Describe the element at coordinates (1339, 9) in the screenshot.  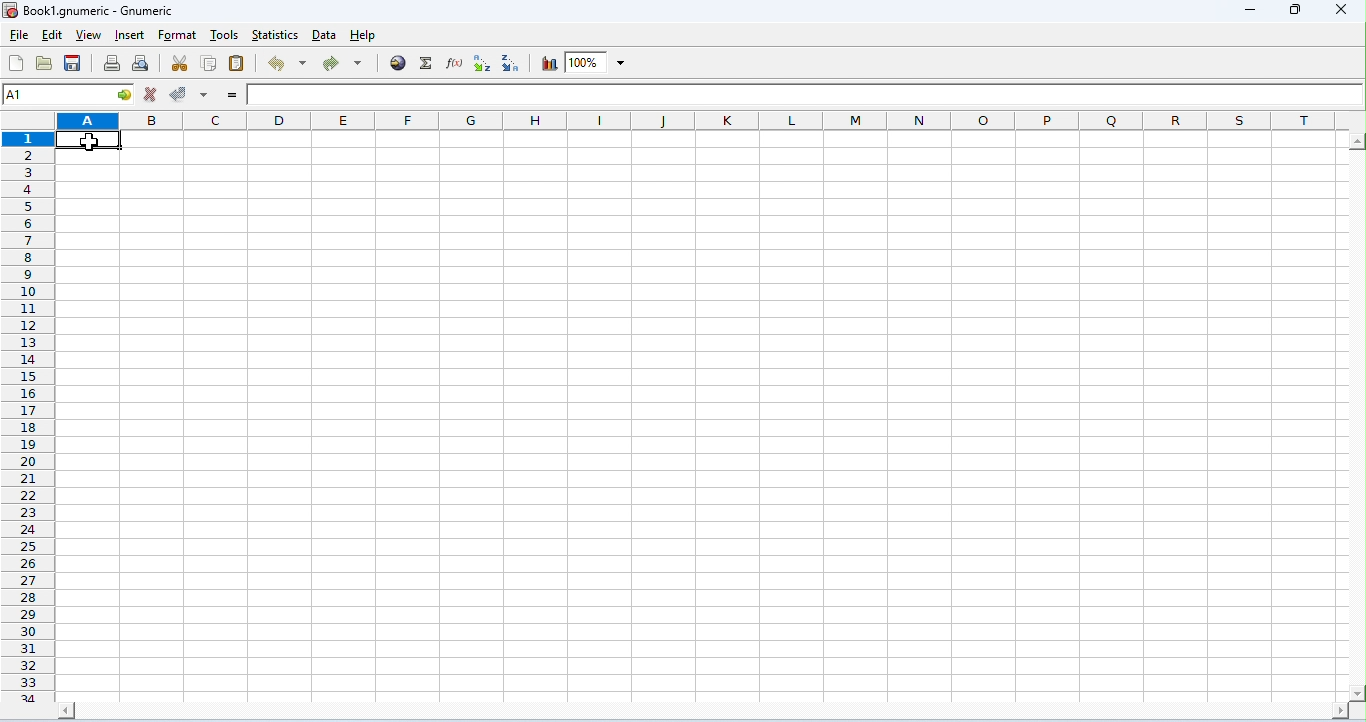
I see `close` at that location.